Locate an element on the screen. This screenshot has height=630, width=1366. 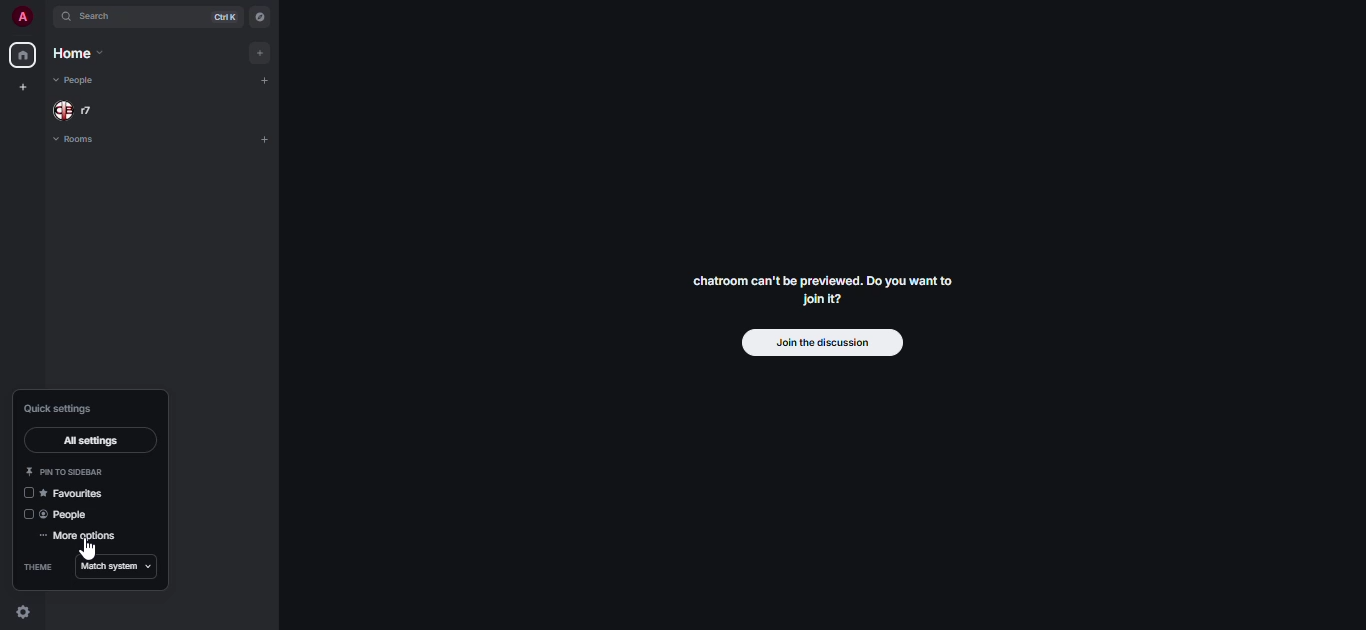
create myspace is located at coordinates (21, 86).